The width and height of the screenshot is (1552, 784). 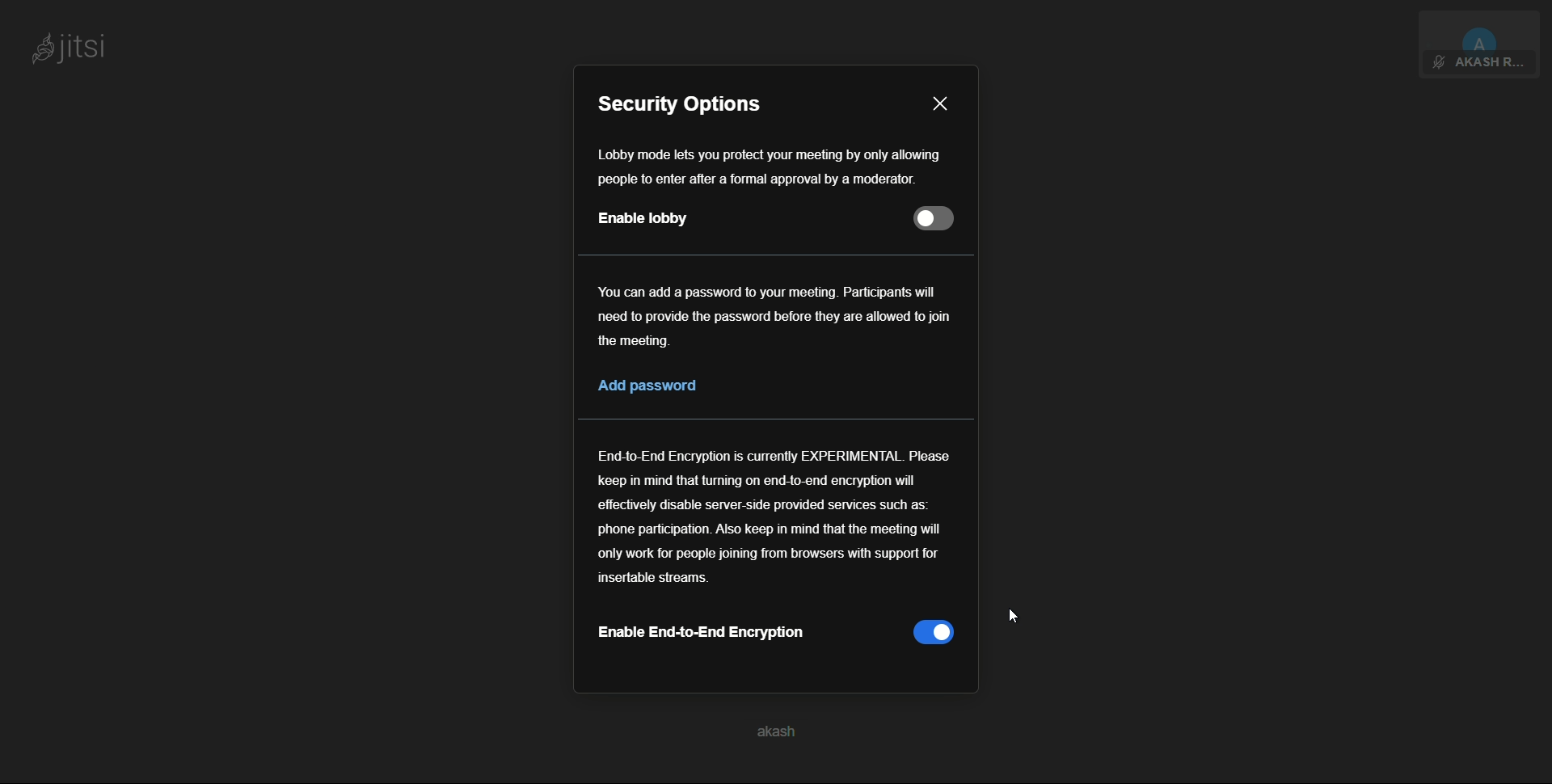 What do you see at coordinates (940, 103) in the screenshot?
I see `close` at bounding box center [940, 103].